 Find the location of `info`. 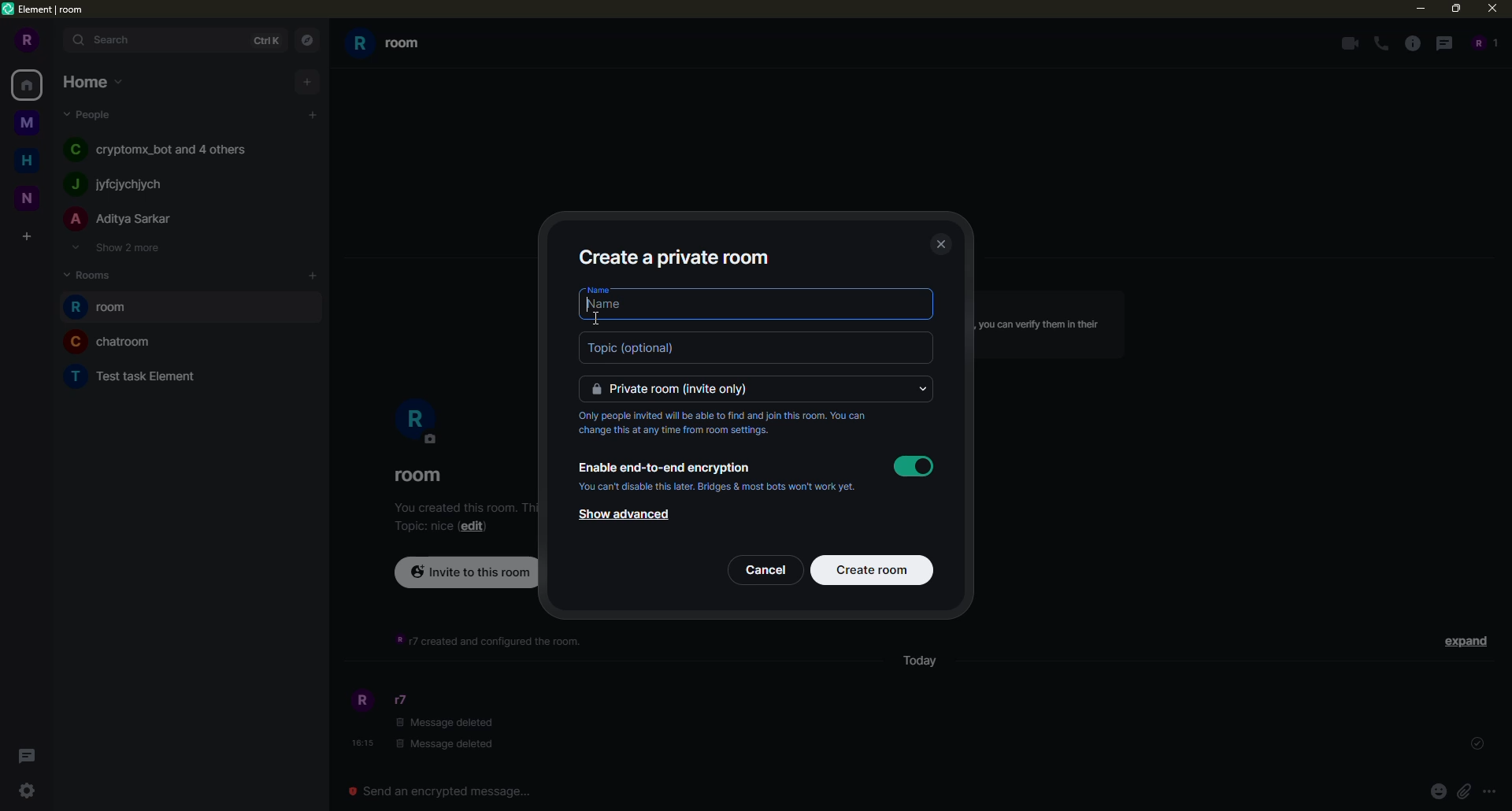

info is located at coordinates (1047, 328).